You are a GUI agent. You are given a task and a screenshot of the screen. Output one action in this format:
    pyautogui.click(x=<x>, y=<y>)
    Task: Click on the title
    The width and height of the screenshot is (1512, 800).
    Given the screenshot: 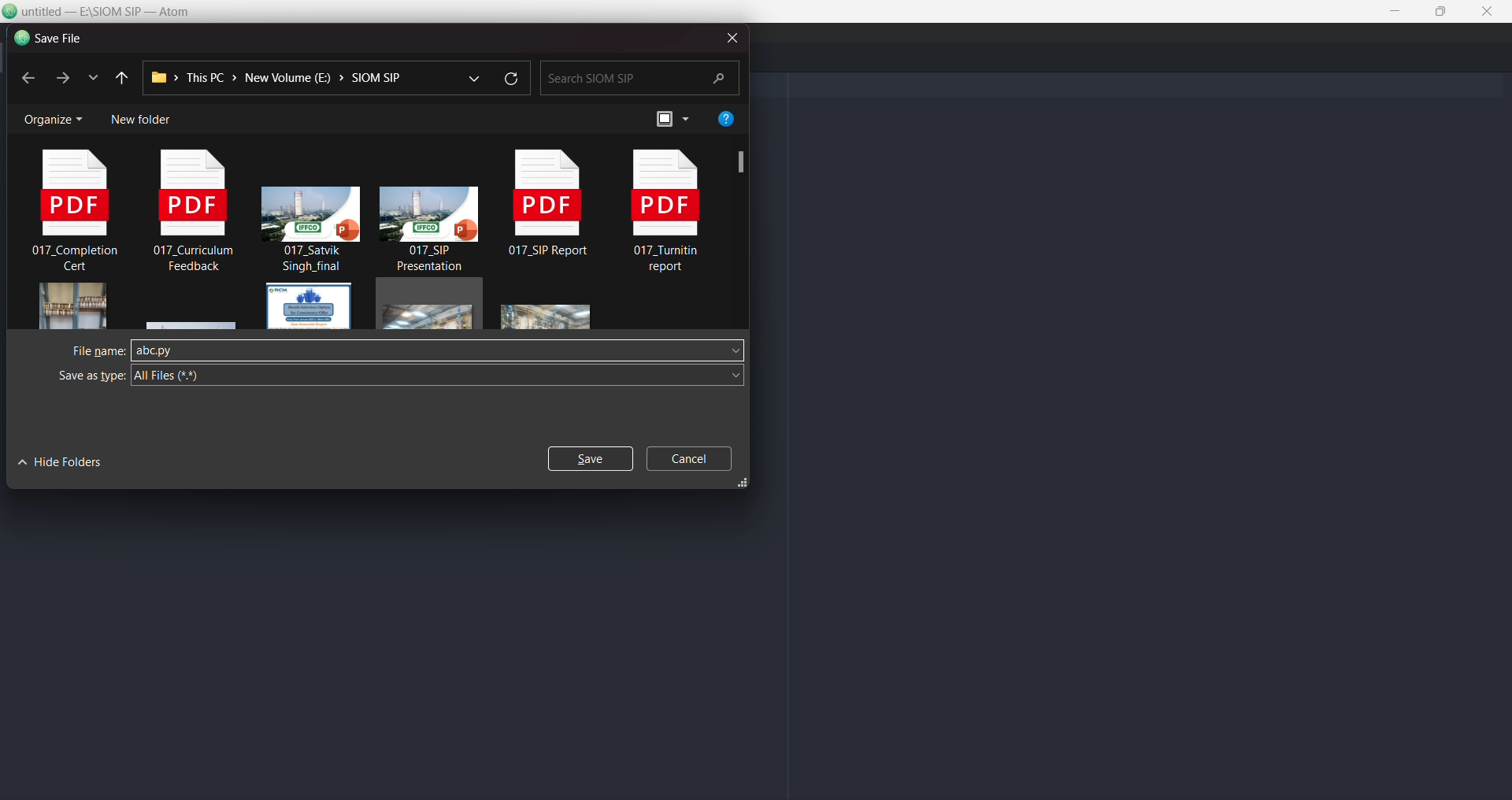 What is the action you would take?
    pyautogui.click(x=109, y=13)
    